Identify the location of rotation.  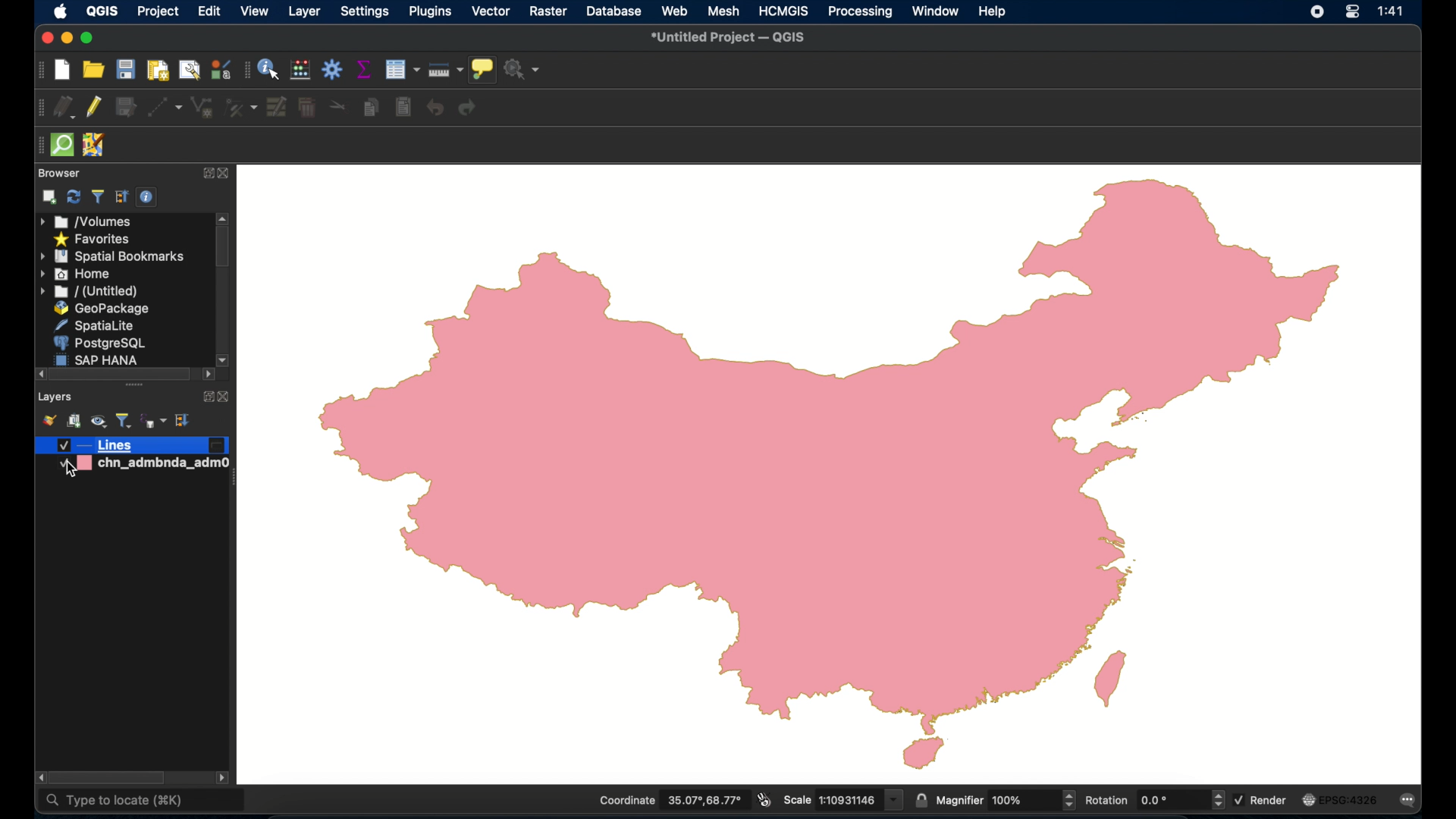
(1153, 799).